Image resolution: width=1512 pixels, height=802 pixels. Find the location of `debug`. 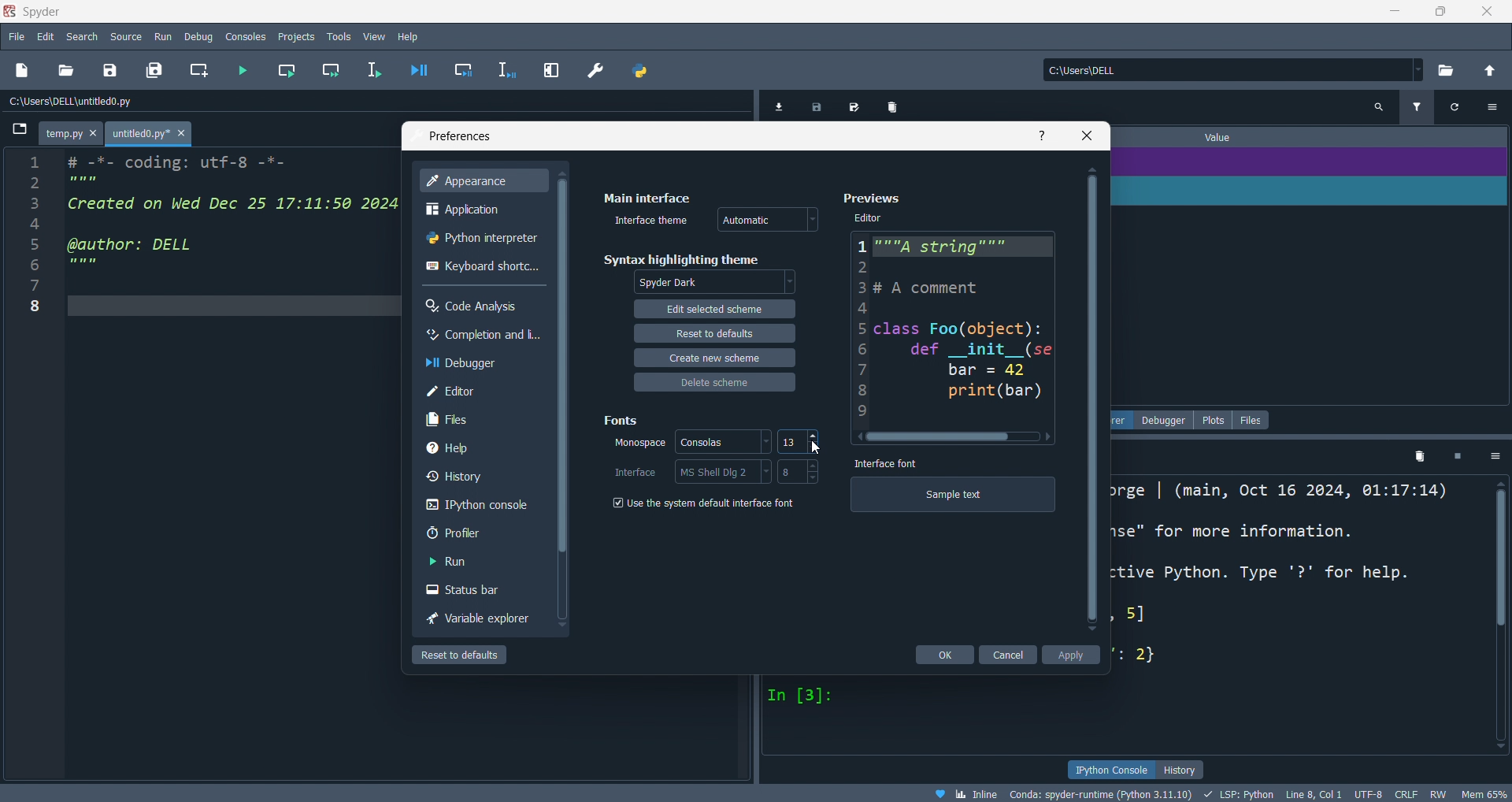

debug is located at coordinates (199, 36).